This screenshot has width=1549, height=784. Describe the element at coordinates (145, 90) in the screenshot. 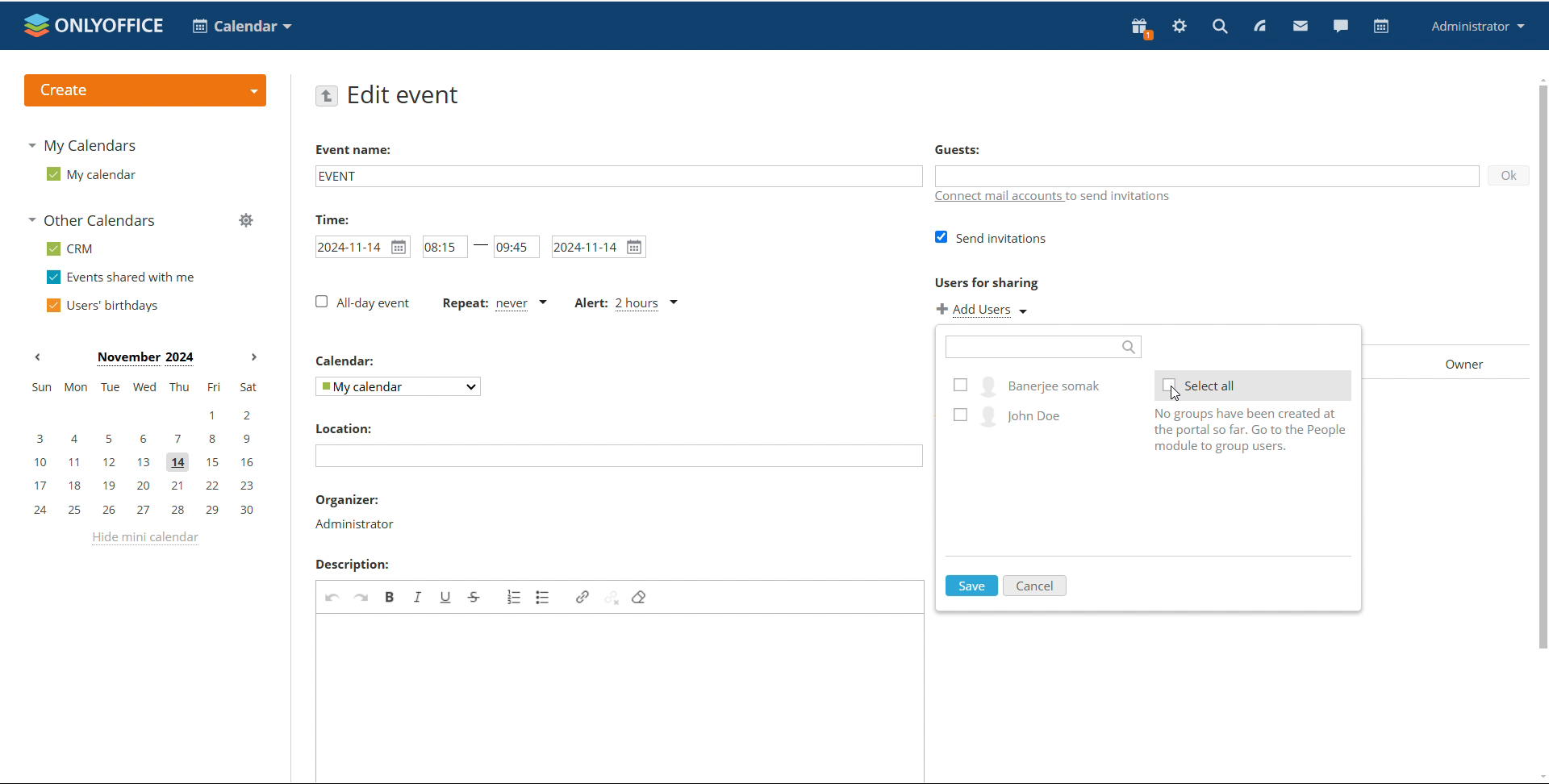

I see `create` at that location.